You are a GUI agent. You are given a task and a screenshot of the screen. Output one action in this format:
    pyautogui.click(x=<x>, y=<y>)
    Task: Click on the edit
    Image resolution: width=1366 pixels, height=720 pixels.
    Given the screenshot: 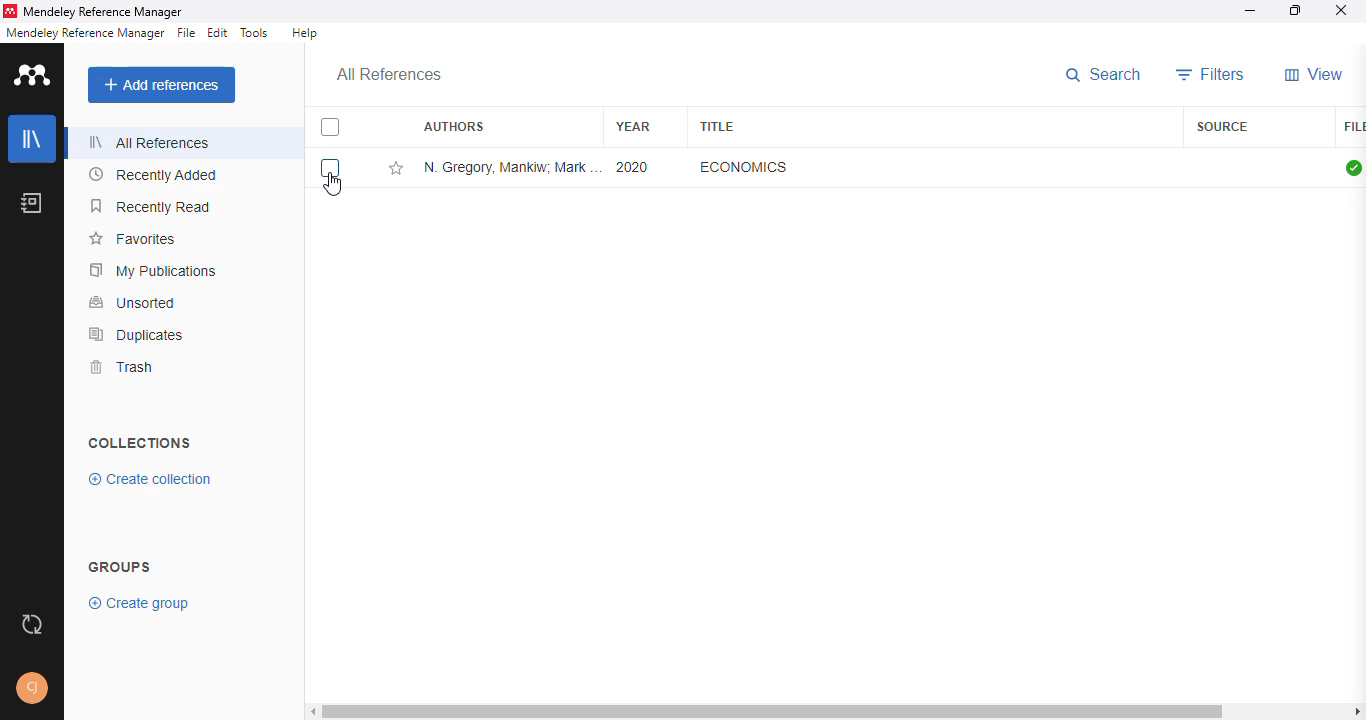 What is the action you would take?
    pyautogui.click(x=219, y=33)
    